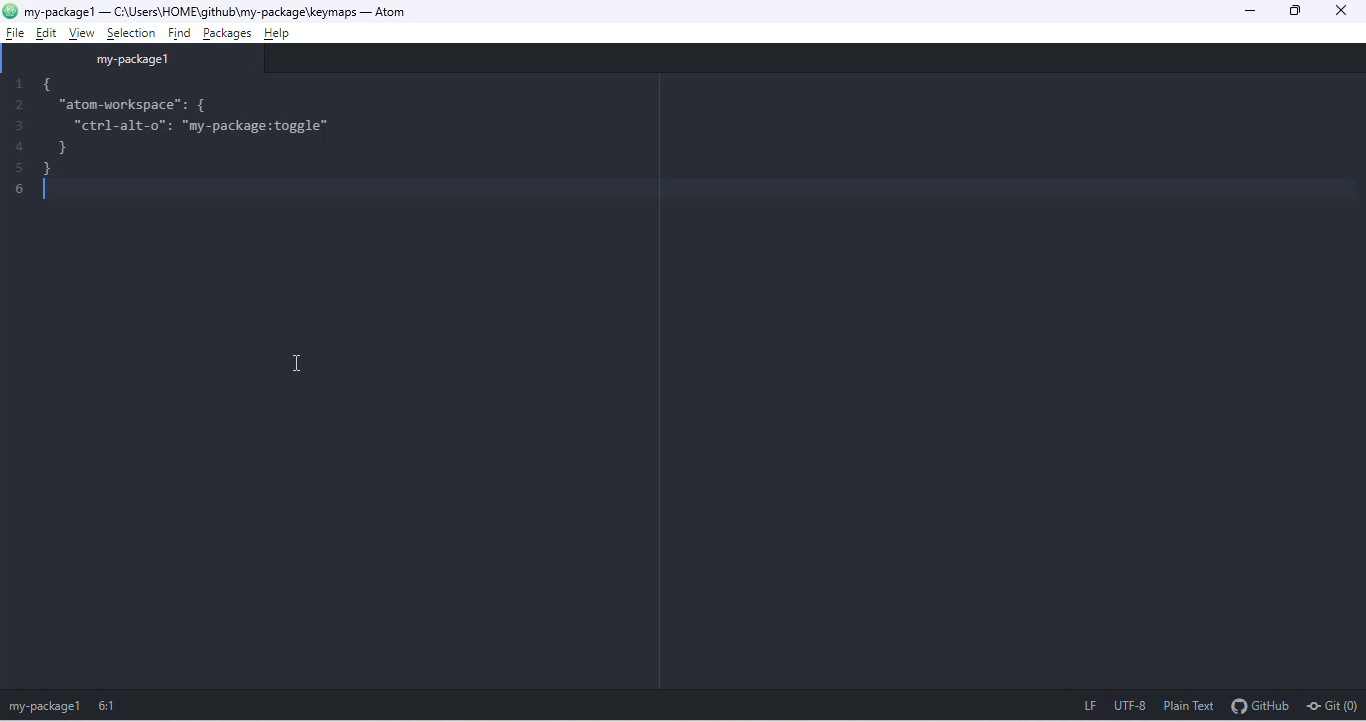  Describe the element at coordinates (1253, 10) in the screenshot. I see `minimize` at that location.